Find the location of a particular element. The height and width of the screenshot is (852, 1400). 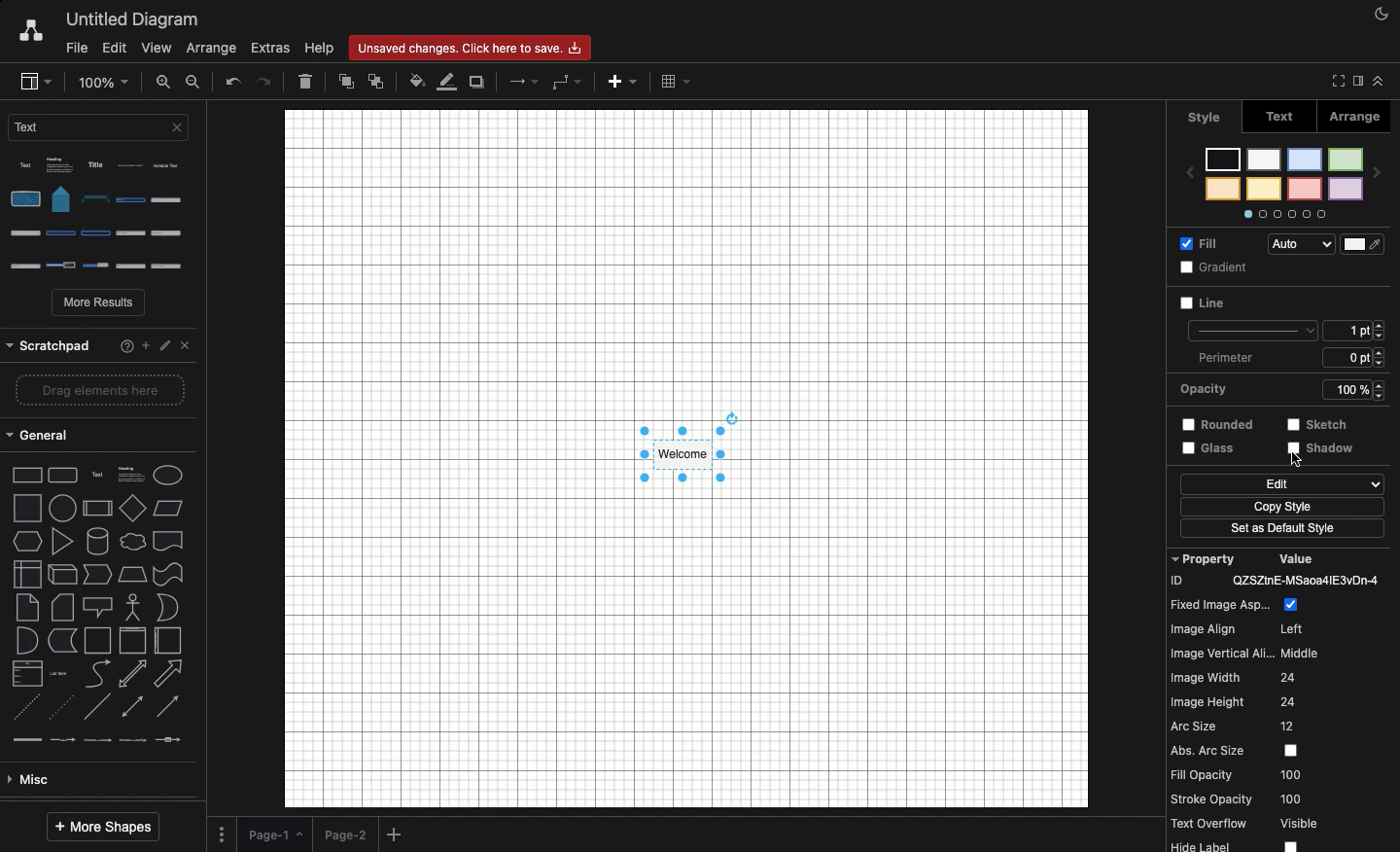

shape is located at coordinates (101, 502).